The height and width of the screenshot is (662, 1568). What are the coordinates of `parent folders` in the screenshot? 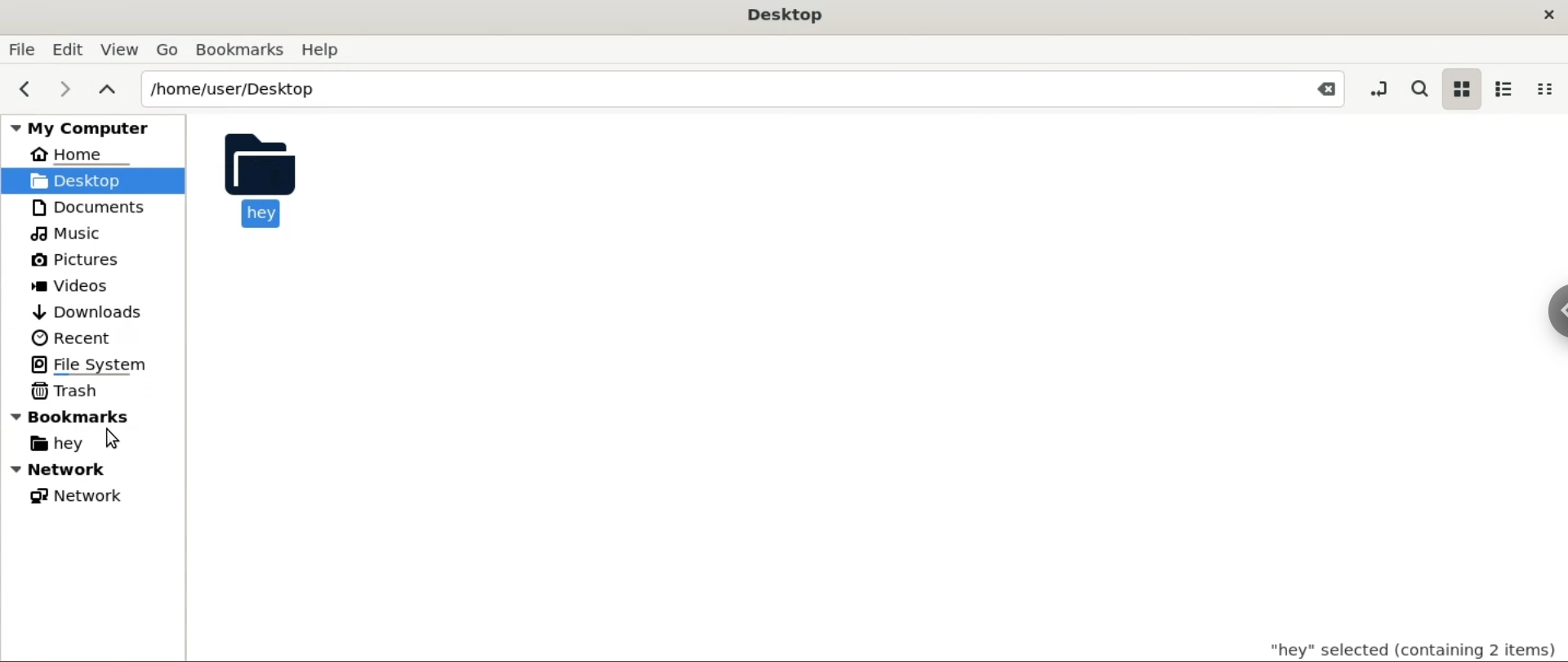 It's located at (109, 91).